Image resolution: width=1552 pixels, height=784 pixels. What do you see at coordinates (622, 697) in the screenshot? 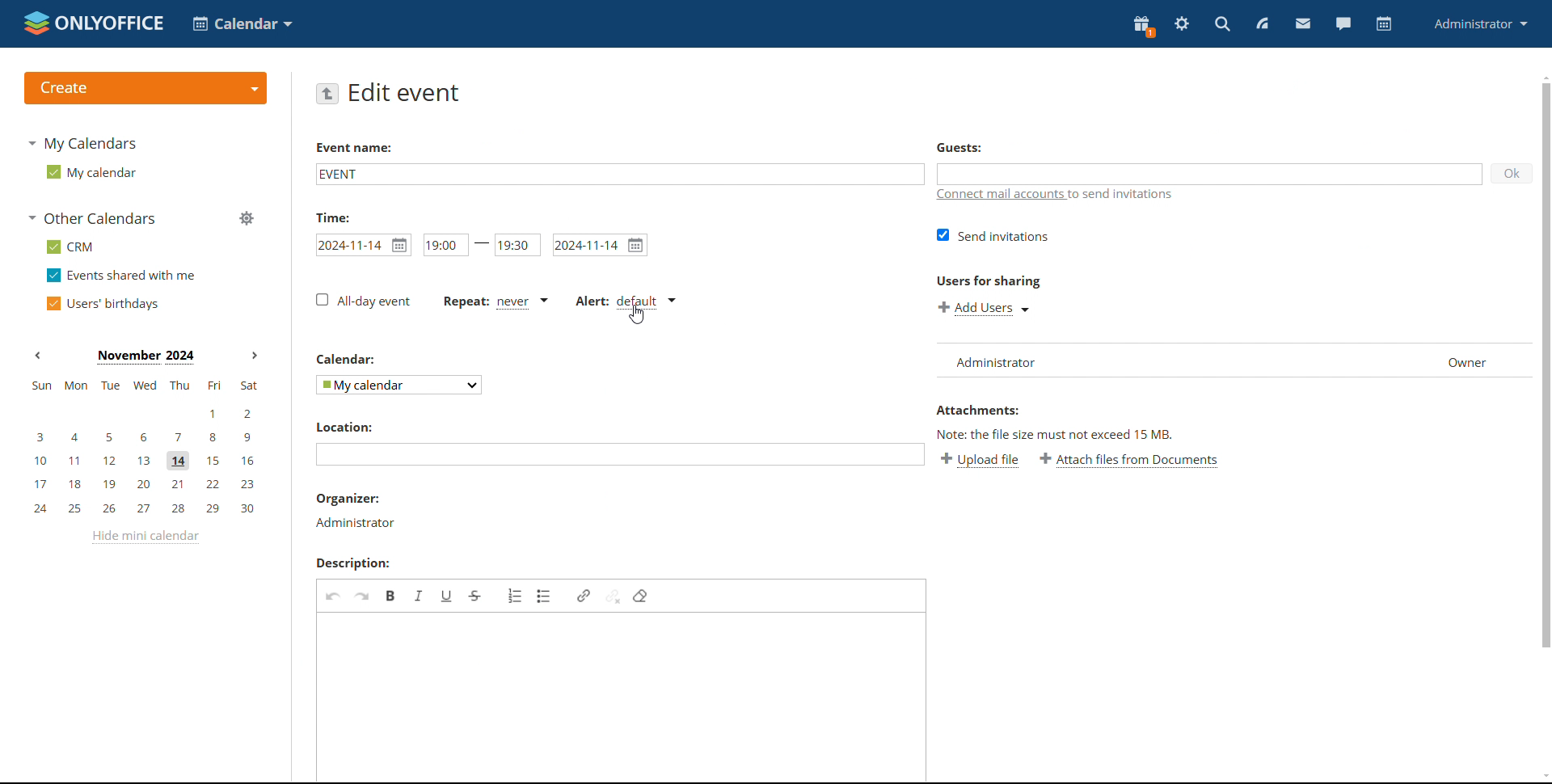
I see `edit description` at bounding box center [622, 697].